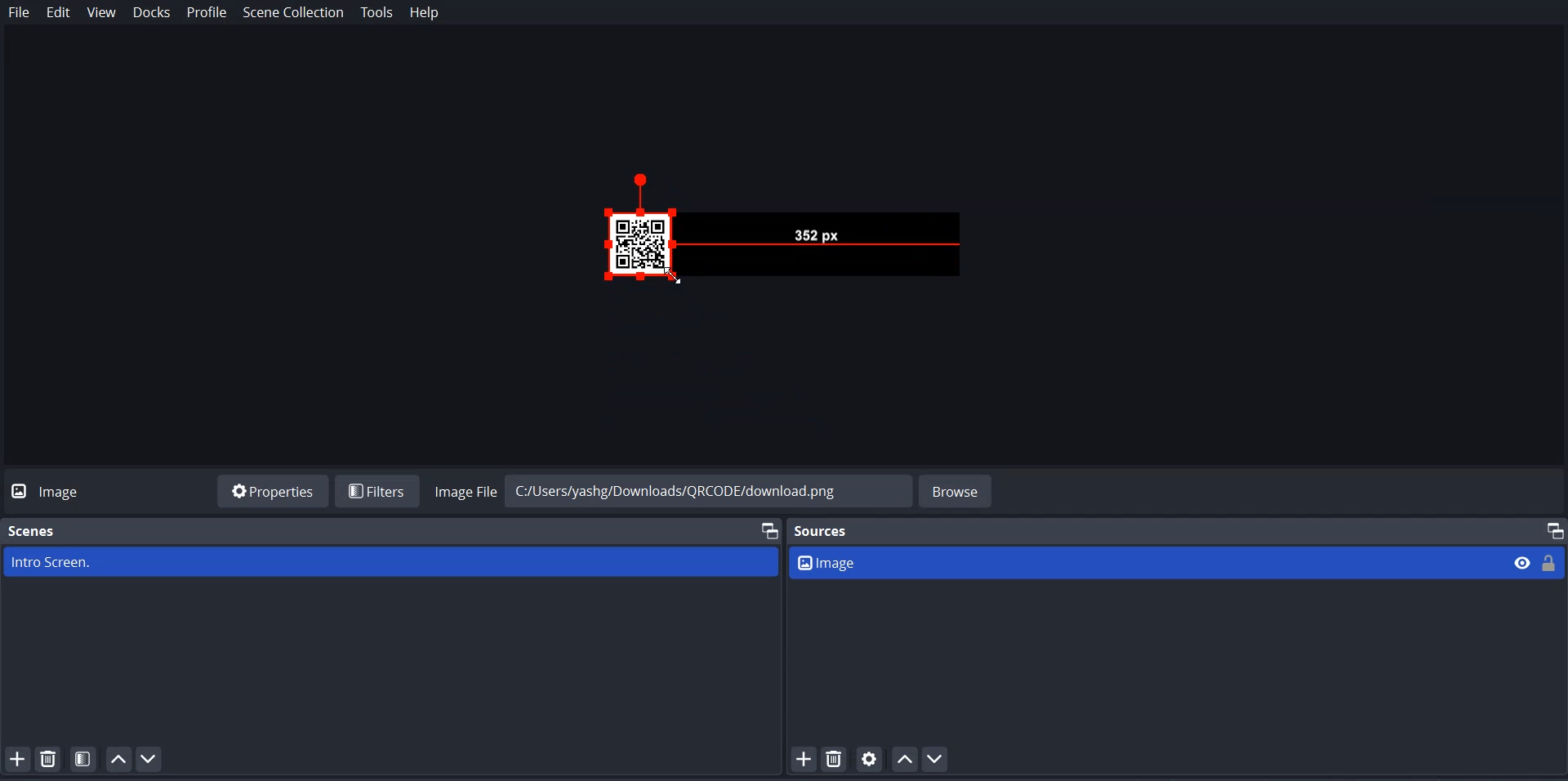 This screenshot has height=781, width=1568. I want to click on Move Source Up, so click(906, 758).